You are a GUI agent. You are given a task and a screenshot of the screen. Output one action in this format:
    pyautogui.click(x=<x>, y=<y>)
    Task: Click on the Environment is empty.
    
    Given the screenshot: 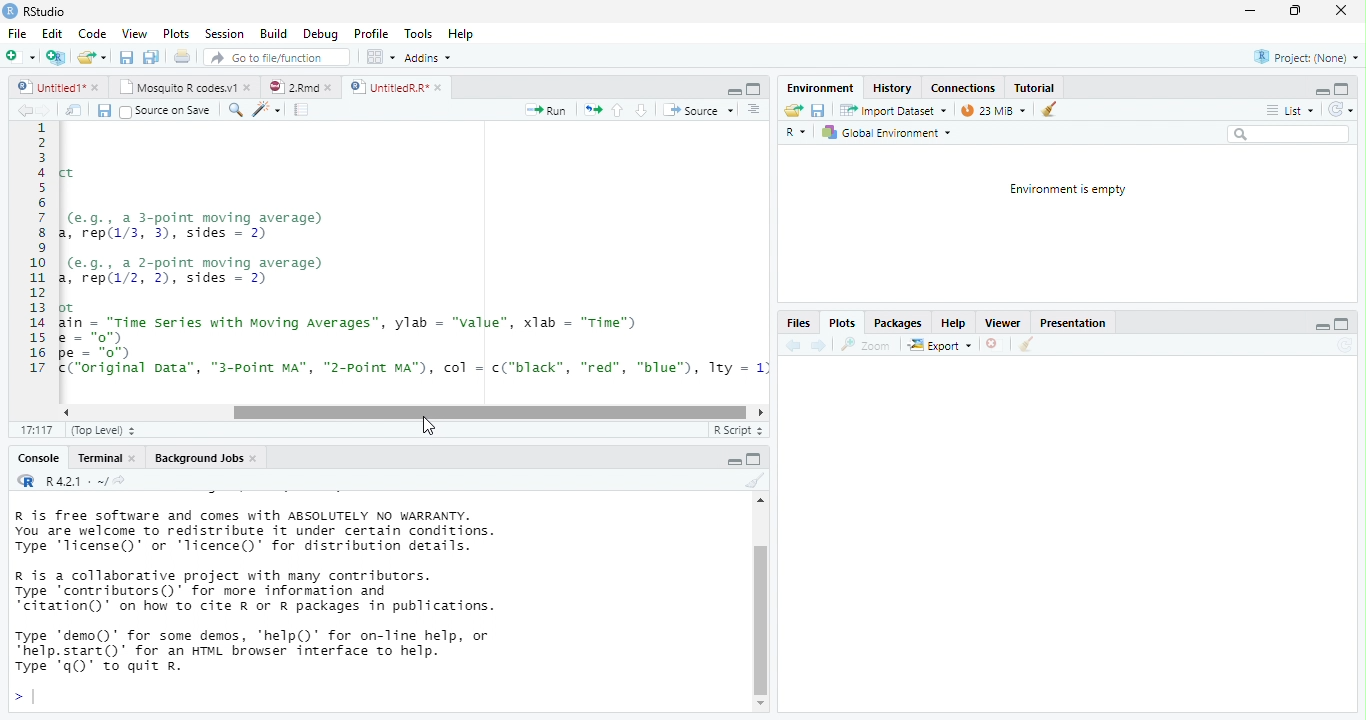 What is the action you would take?
    pyautogui.click(x=1067, y=190)
    